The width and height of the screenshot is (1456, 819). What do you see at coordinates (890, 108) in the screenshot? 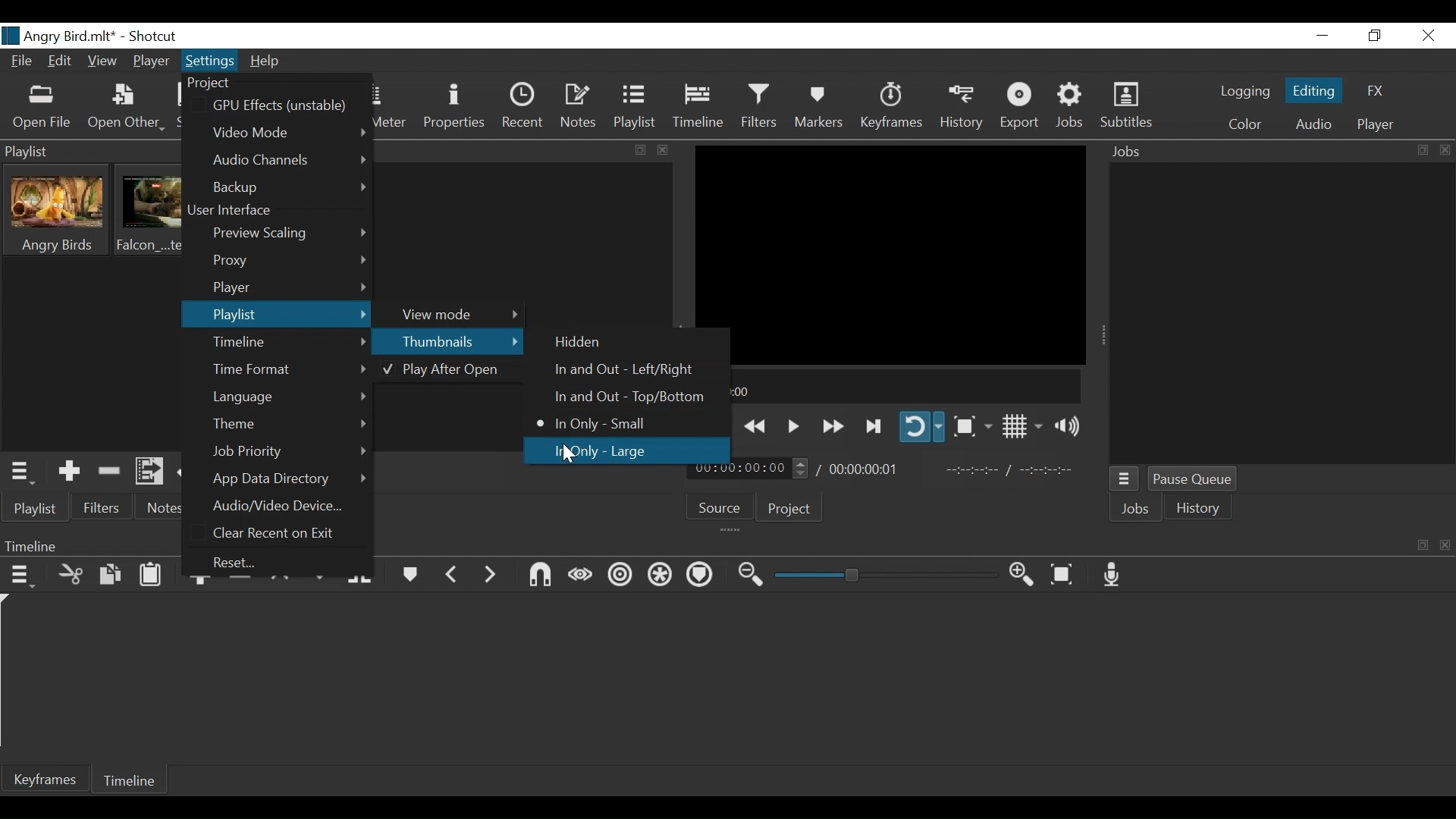
I see `Keyframe` at bounding box center [890, 108].